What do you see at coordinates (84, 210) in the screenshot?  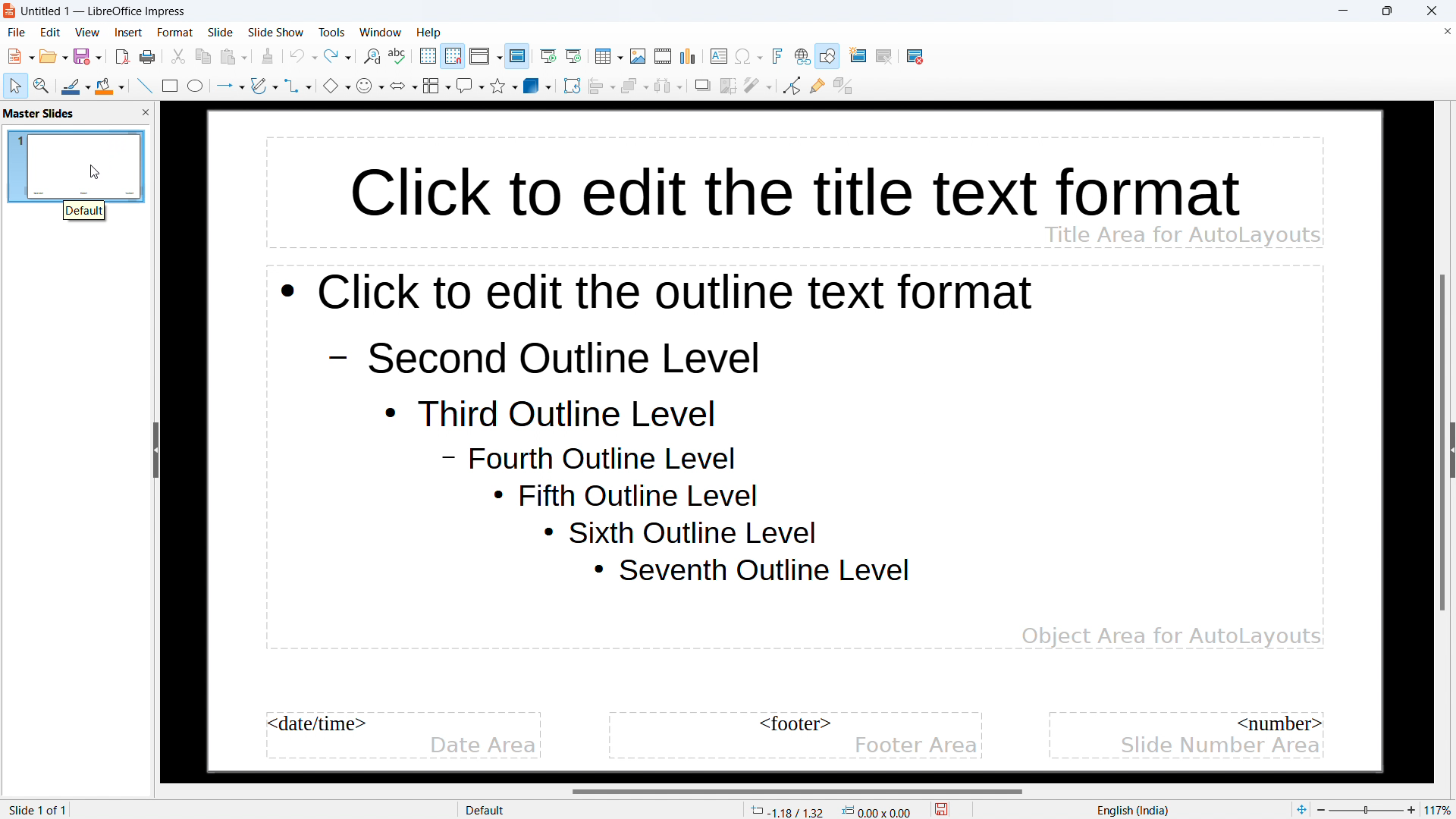 I see `default` at bounding box center [84, 210].